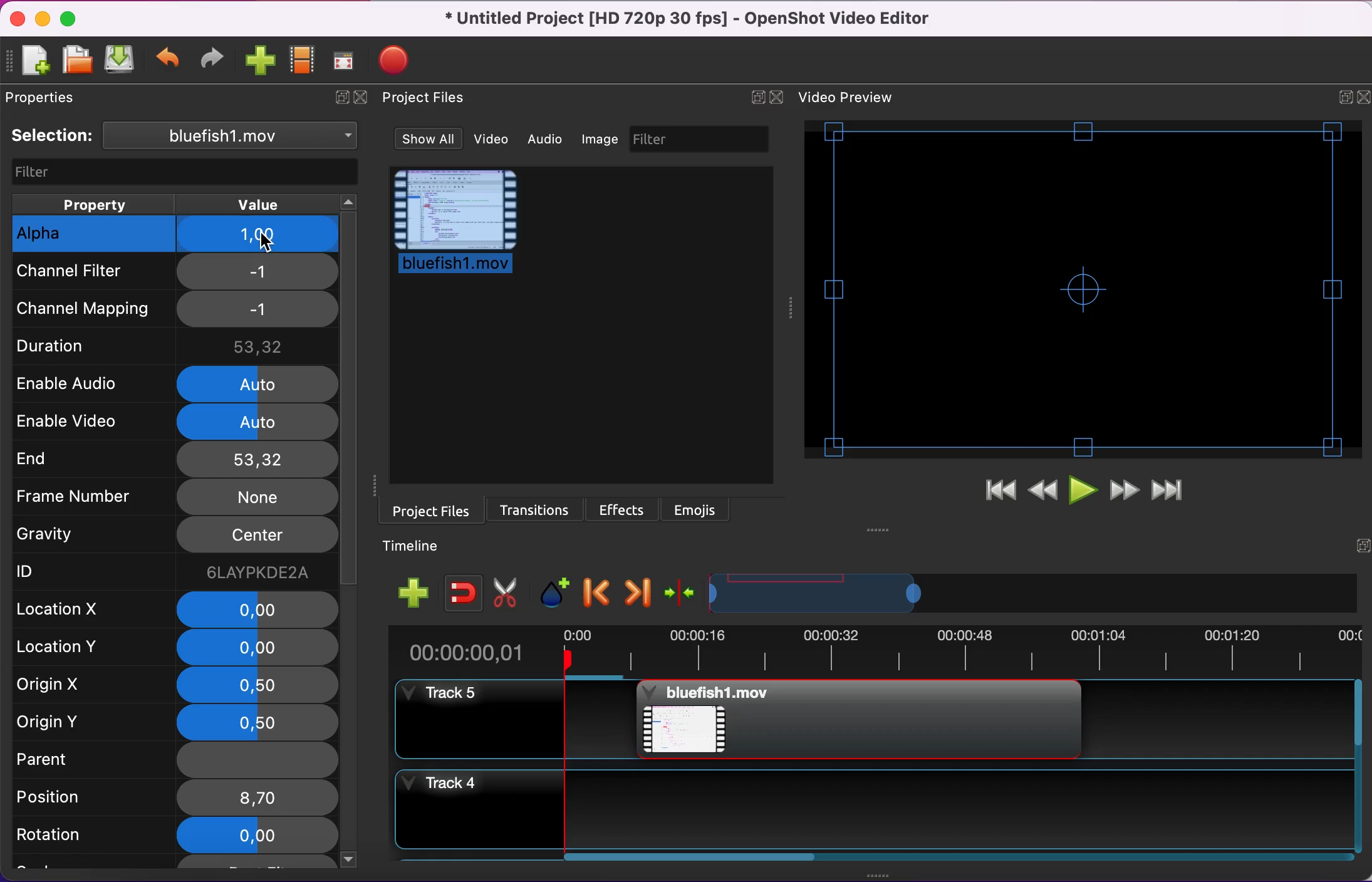 This screenshot has height=882, width=1372. Describe the element at coordinates (1044, 490) in the screenshot. I see `rewind` at that location.